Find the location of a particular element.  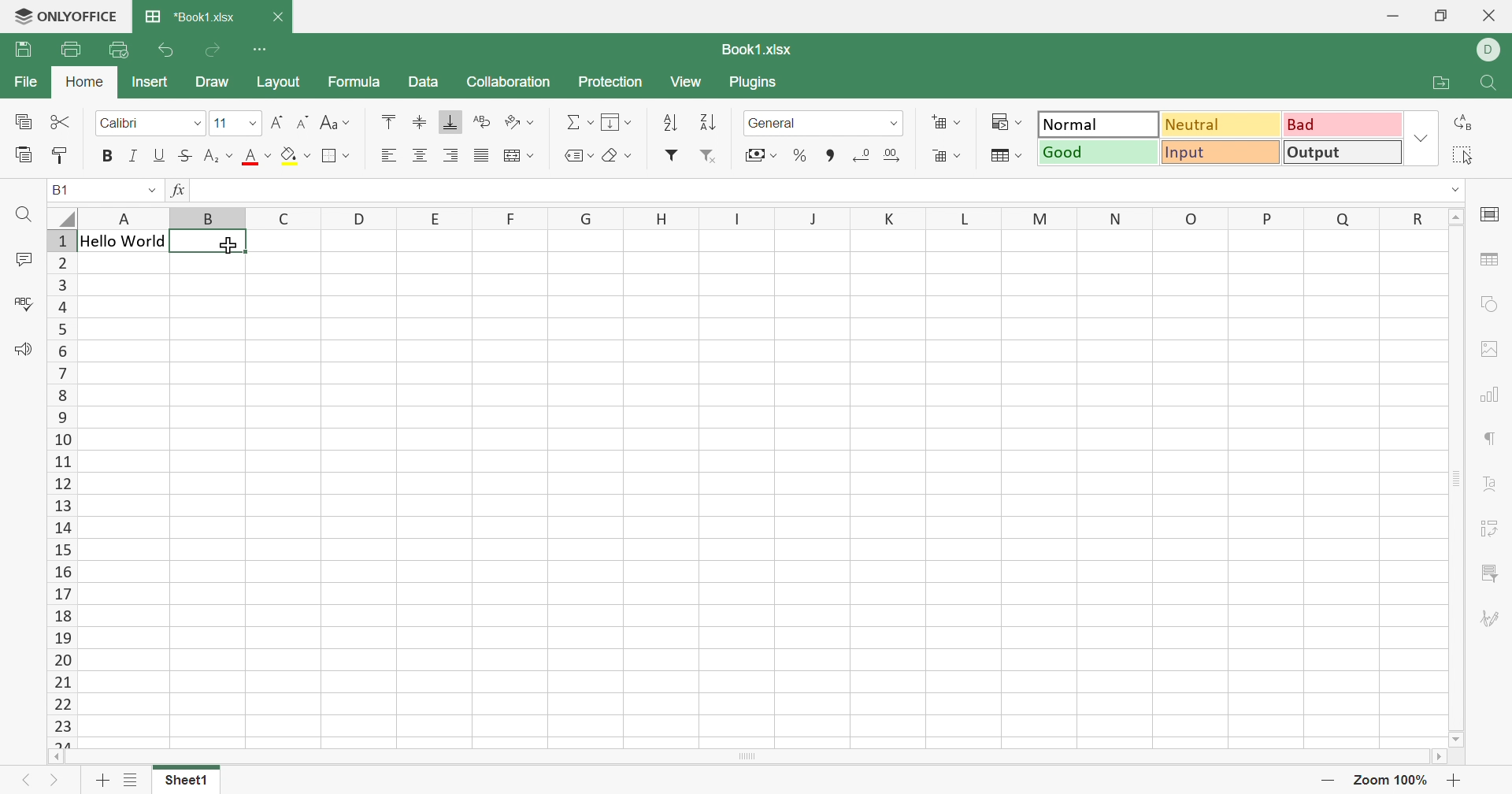

Accounting style is located at coordinates (760, 154).